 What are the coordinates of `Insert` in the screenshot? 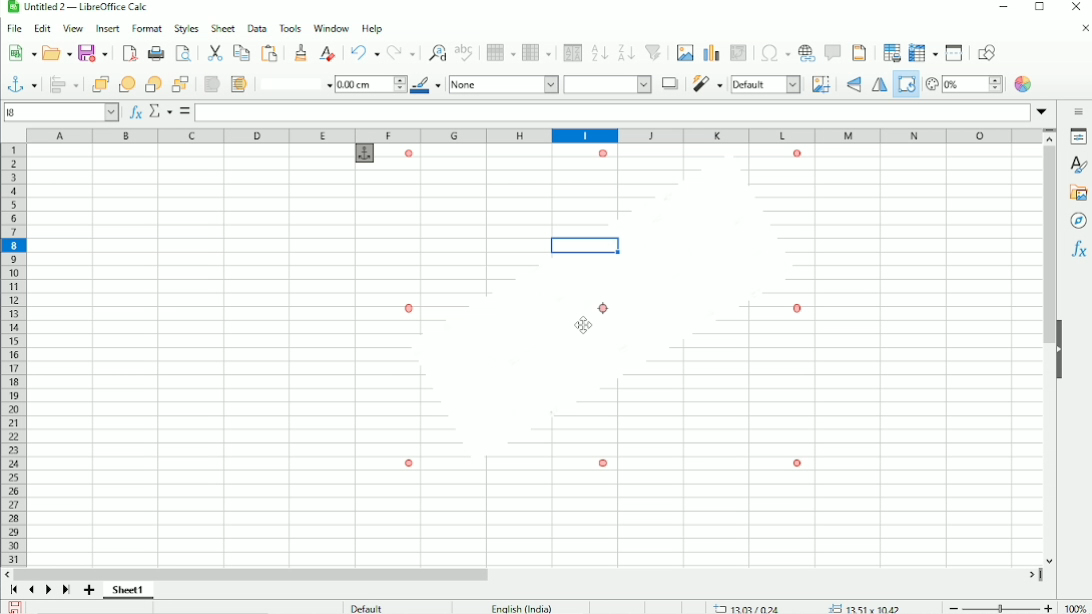 It's located at (106, 28).